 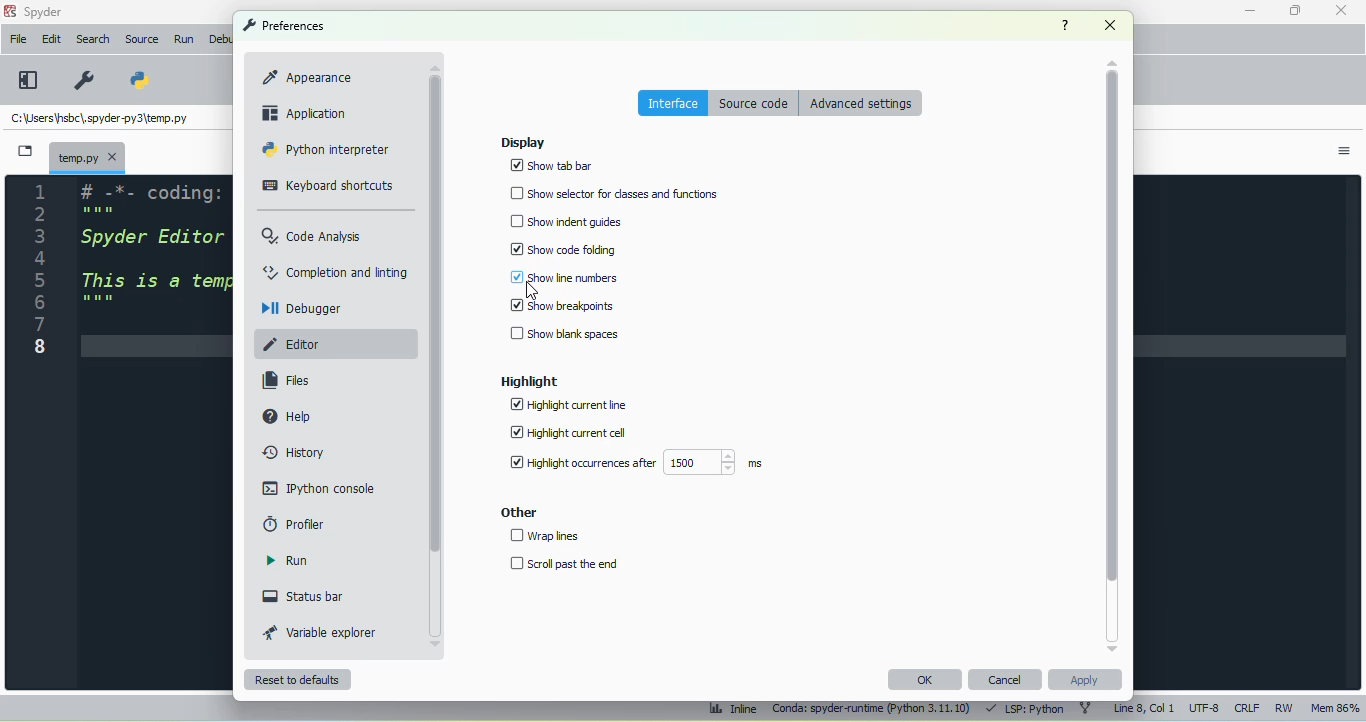 I want to click on RW, so click(x=1285, y=708).